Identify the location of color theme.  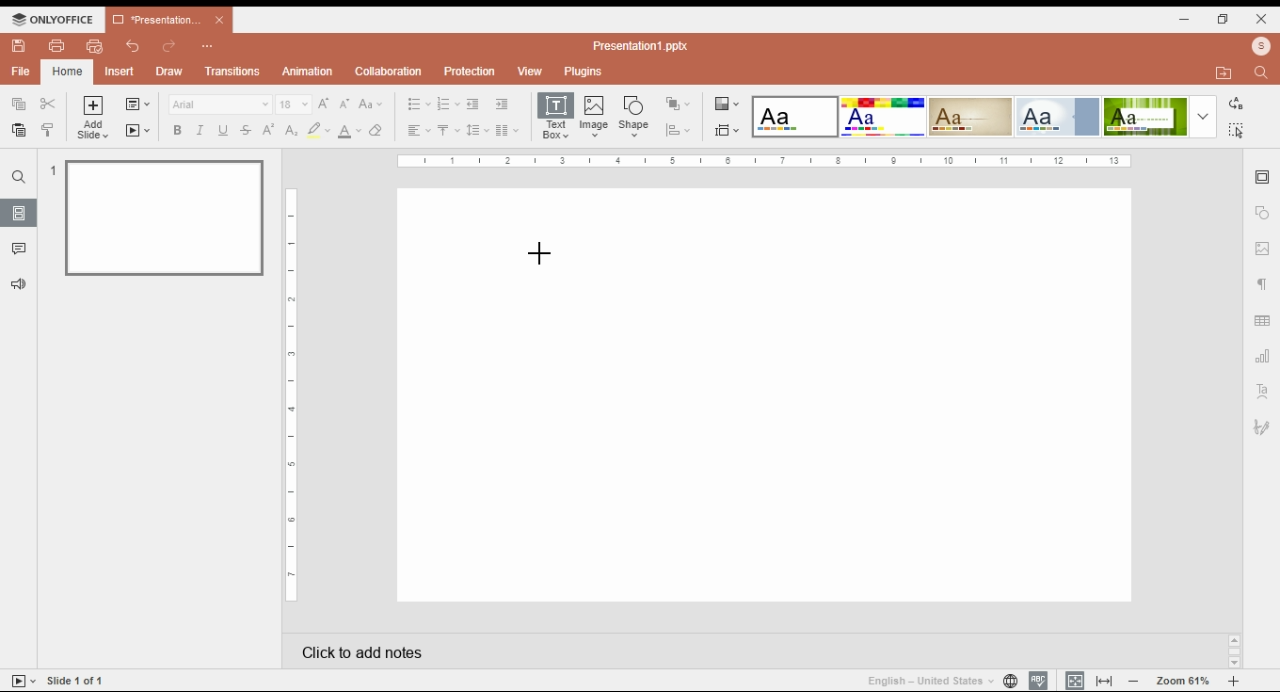
(883, 117).